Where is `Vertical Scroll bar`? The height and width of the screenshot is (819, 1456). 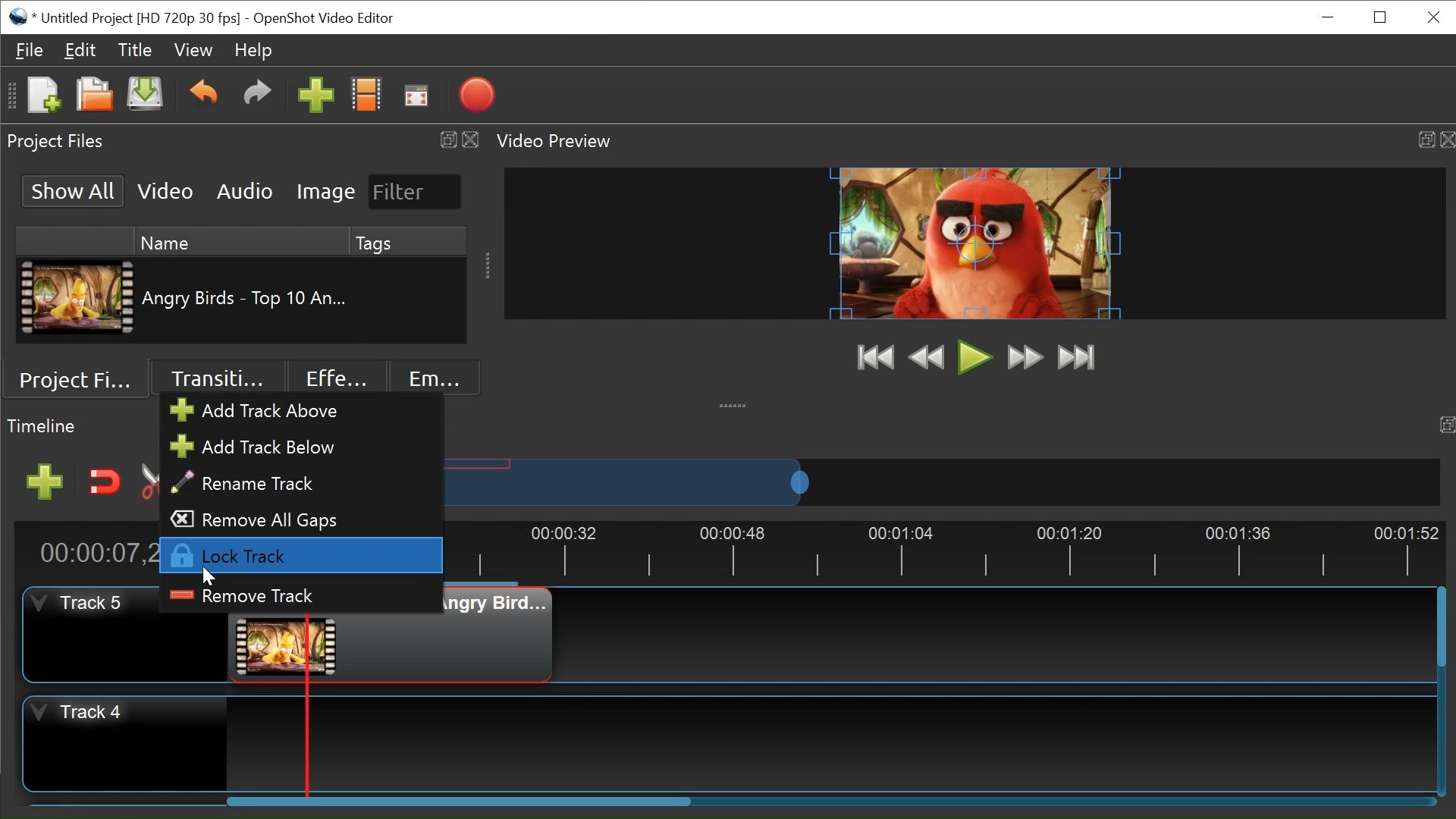 Vertical Scroll bar is located at coordinates (1441, 626).